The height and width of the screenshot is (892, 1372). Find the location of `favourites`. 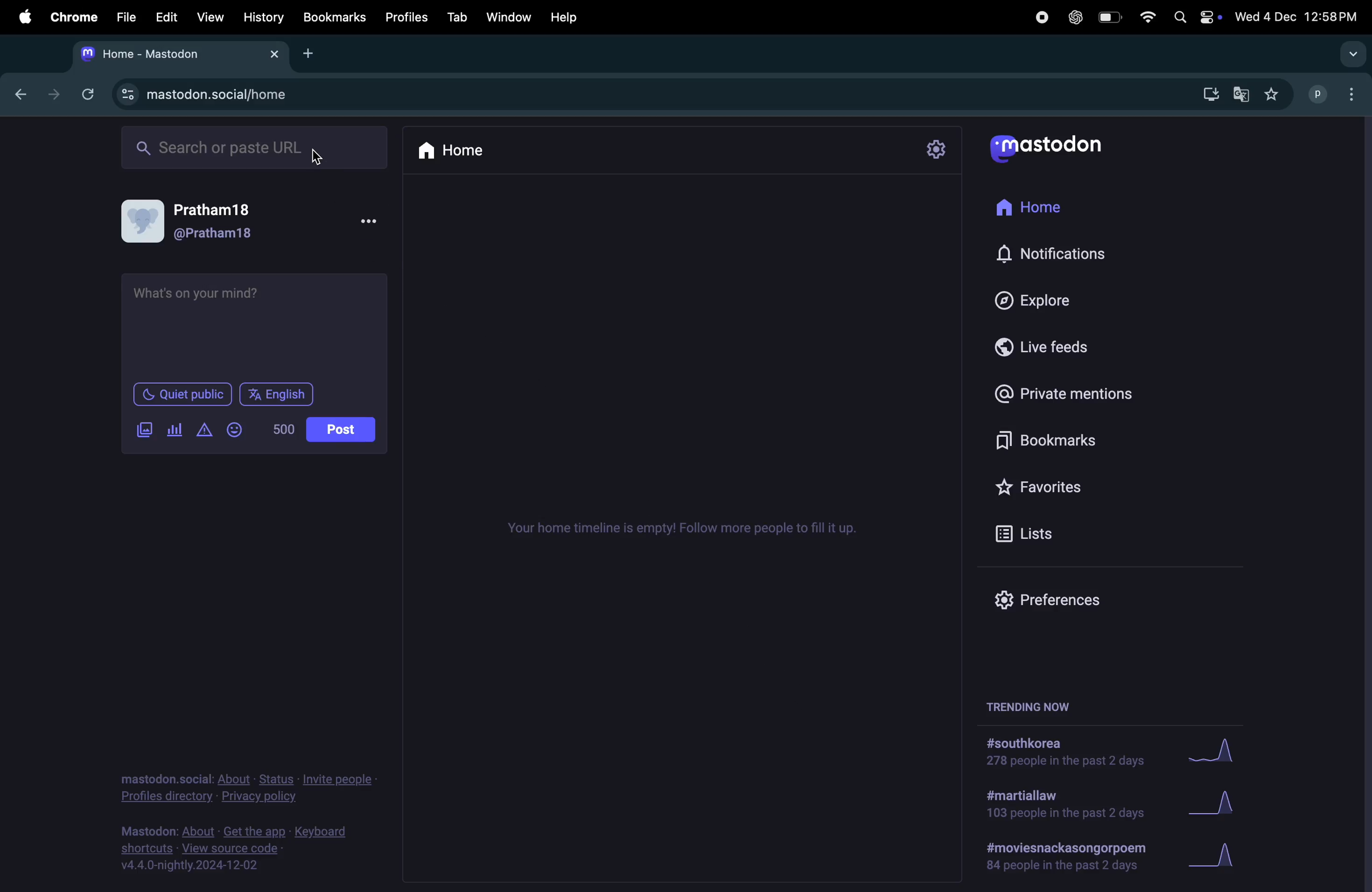

favourites is located at coordinates (1275, 93).